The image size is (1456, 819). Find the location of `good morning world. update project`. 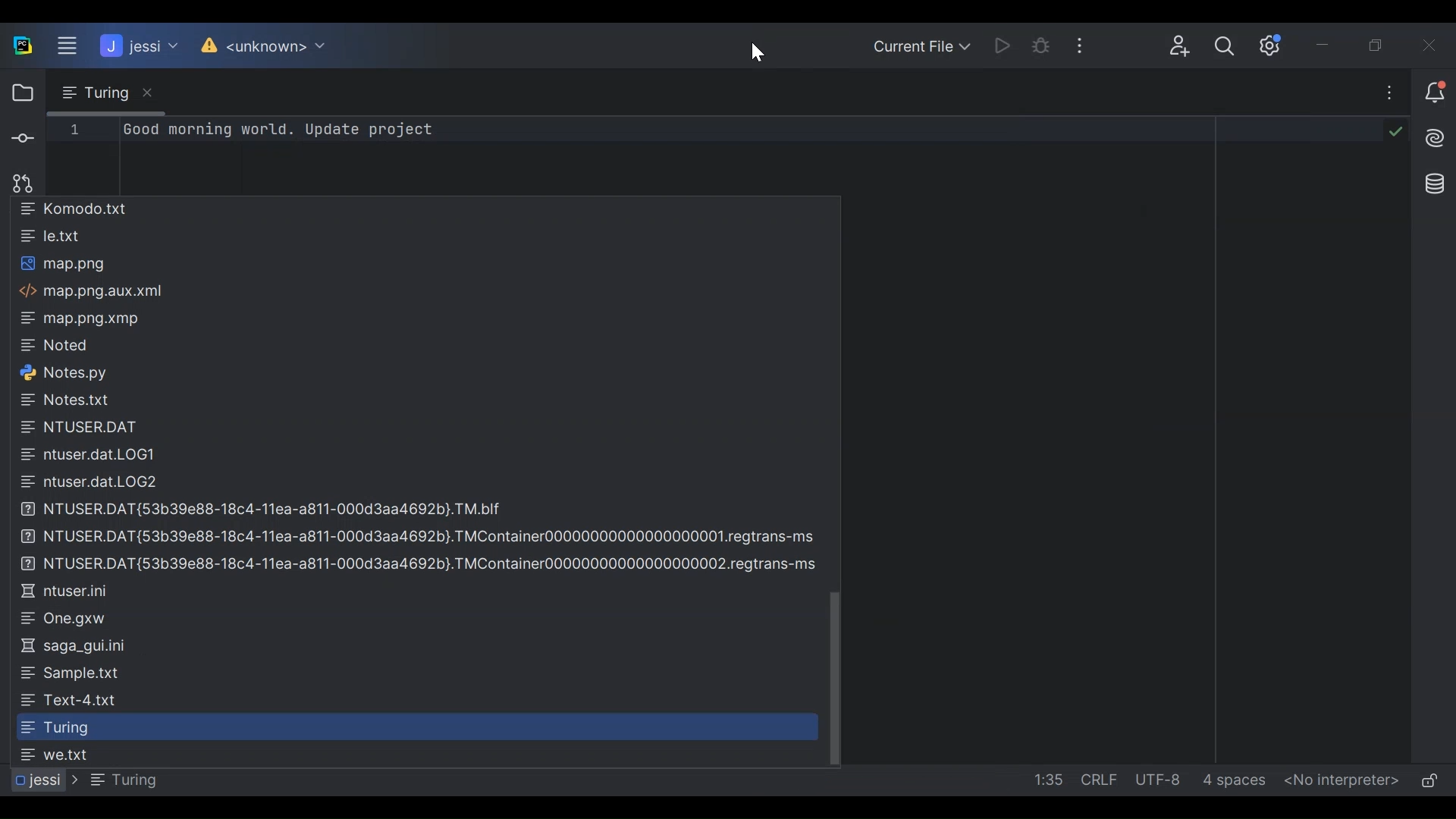

good morning world. update project is located at coordinates (281, 130).